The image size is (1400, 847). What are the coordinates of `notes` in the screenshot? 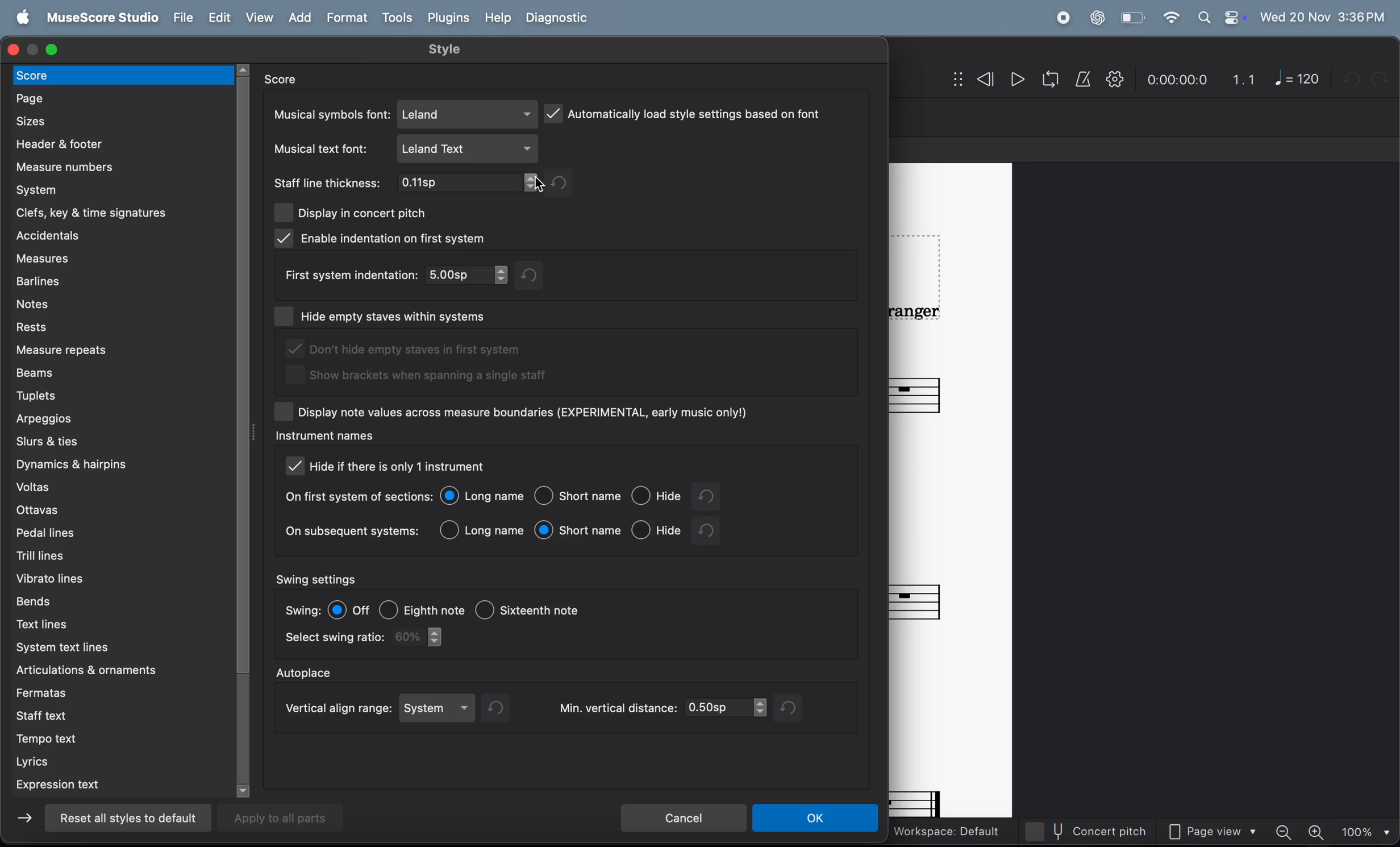 It's located at (113, 302).